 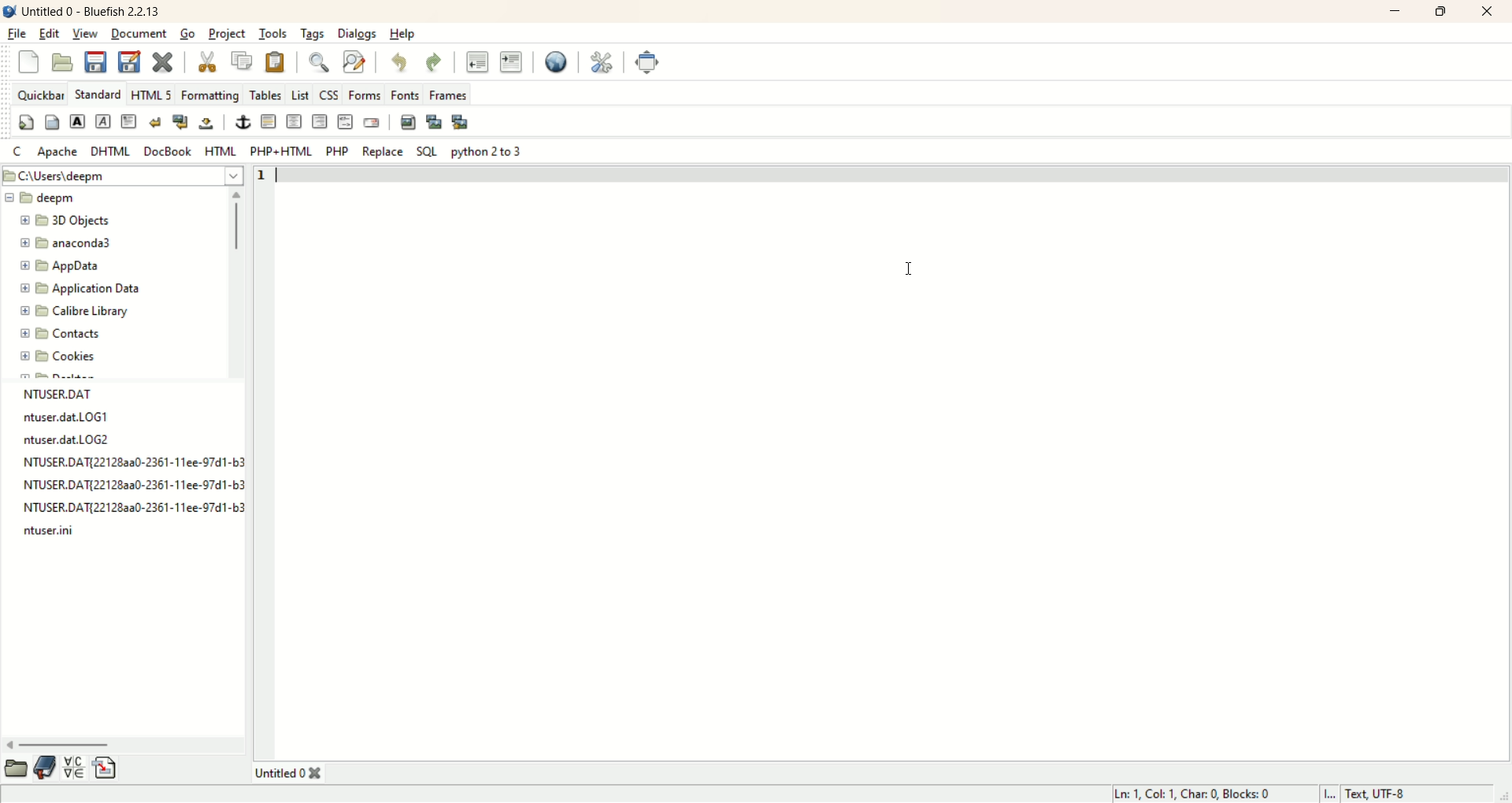 What do you see at coordinates (70, 221) in the screenshot?
I see `3D onjects` at bounding box center [70, 221].